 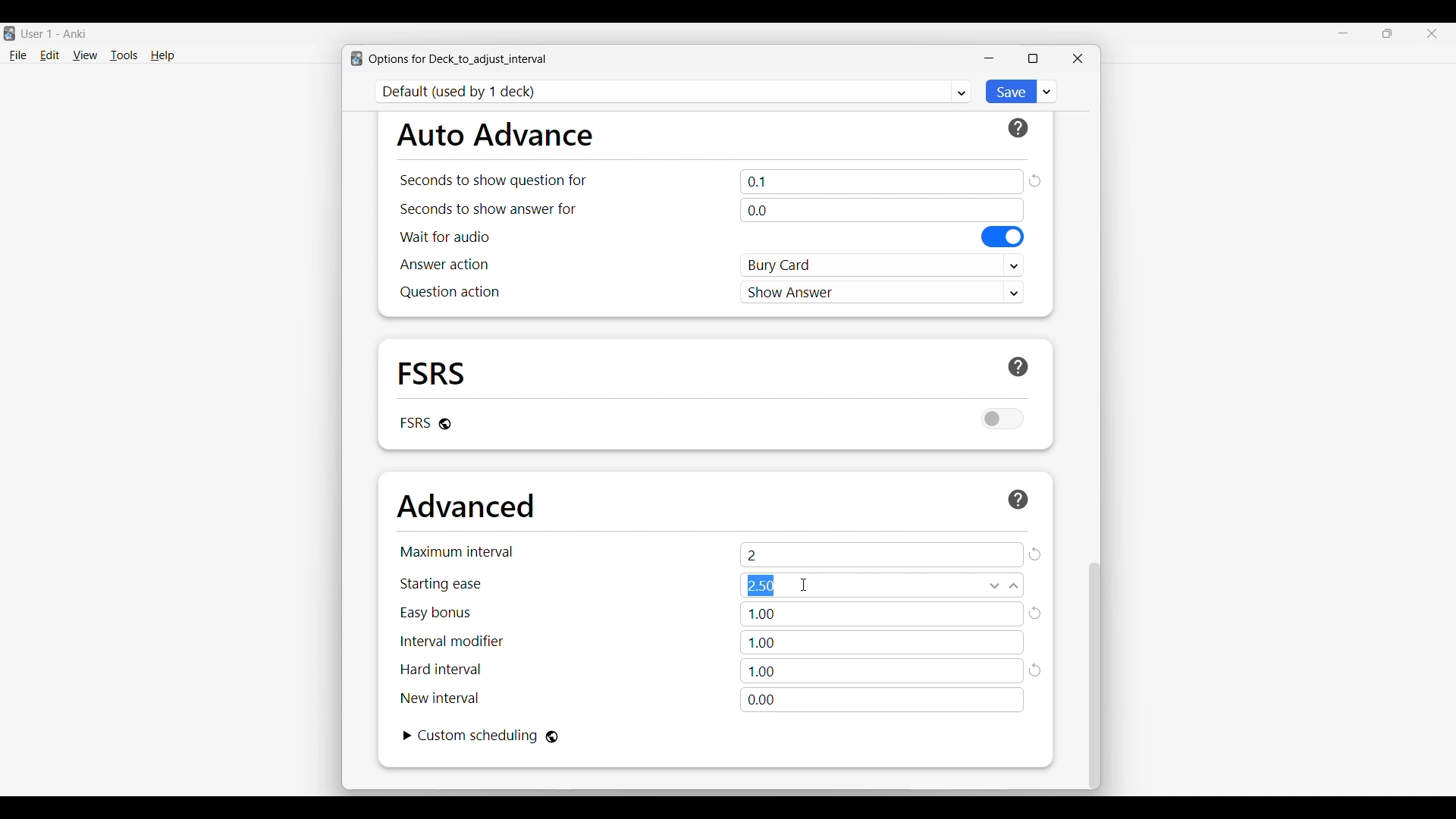 I want to click on Show interface in smaller tab, so click(x=1388, y=33).